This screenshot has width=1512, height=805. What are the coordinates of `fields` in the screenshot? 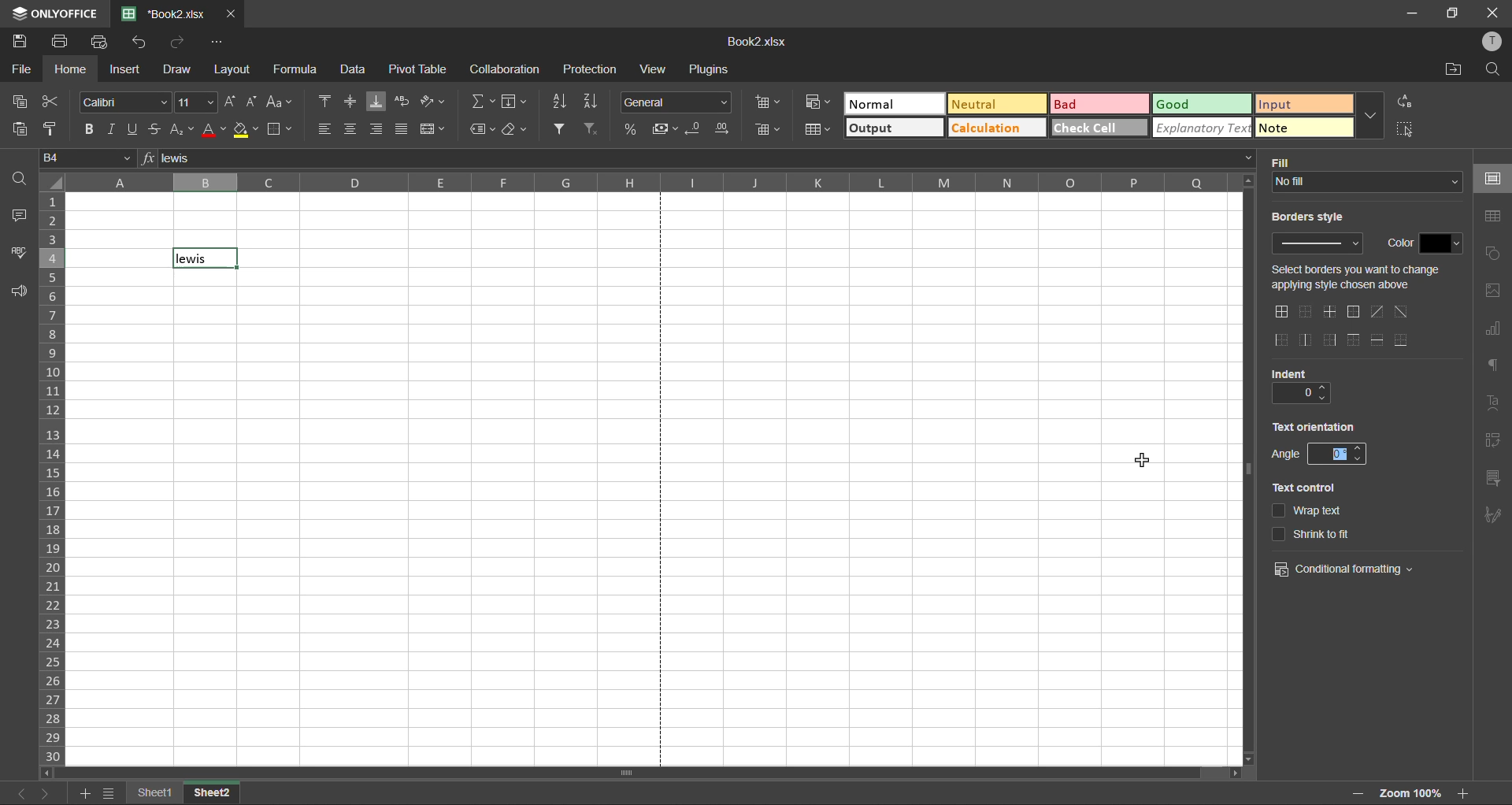 It's located at (516, 102).